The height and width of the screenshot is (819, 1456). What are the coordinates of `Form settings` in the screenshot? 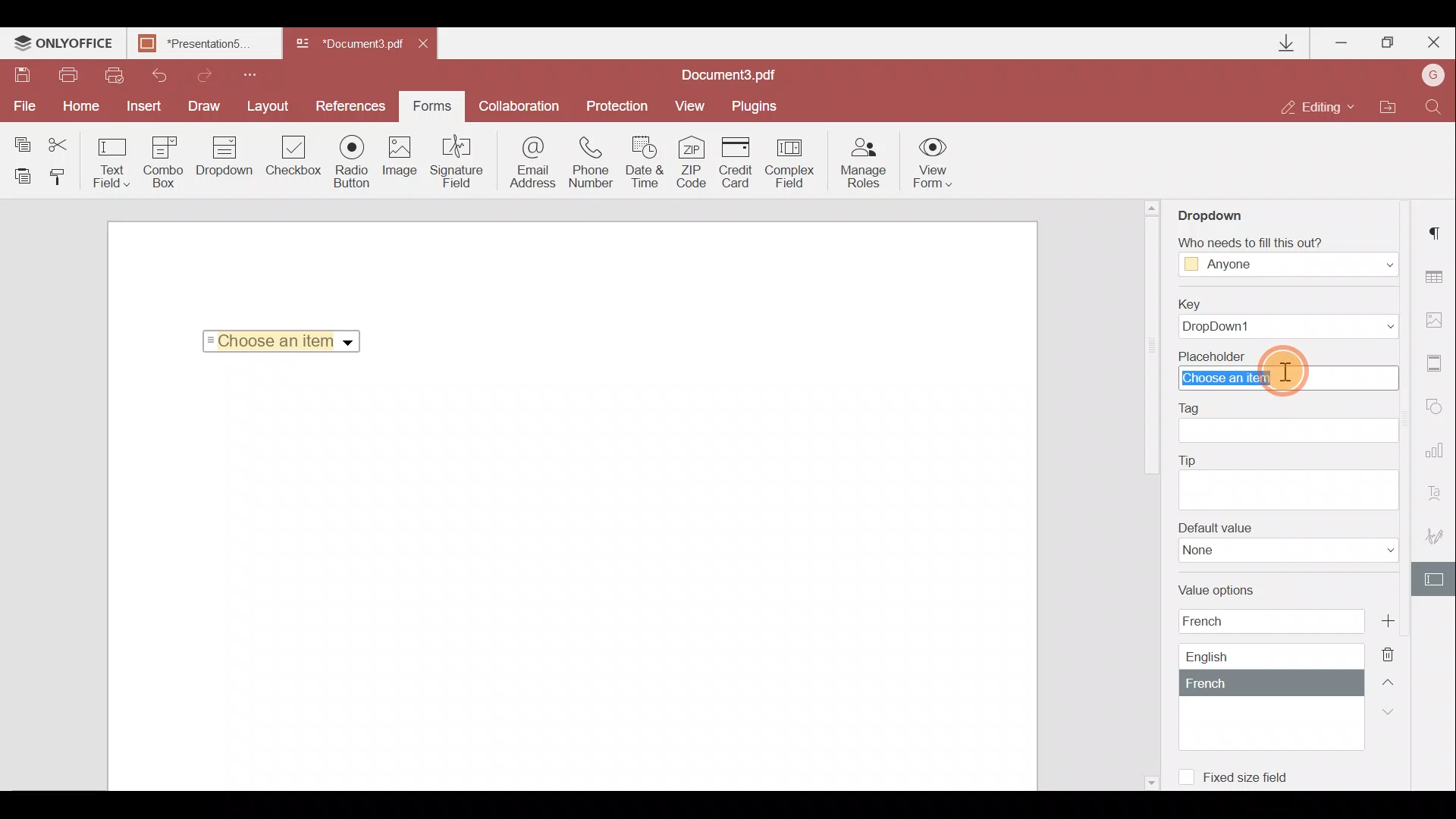 It's located at (1436, 579).